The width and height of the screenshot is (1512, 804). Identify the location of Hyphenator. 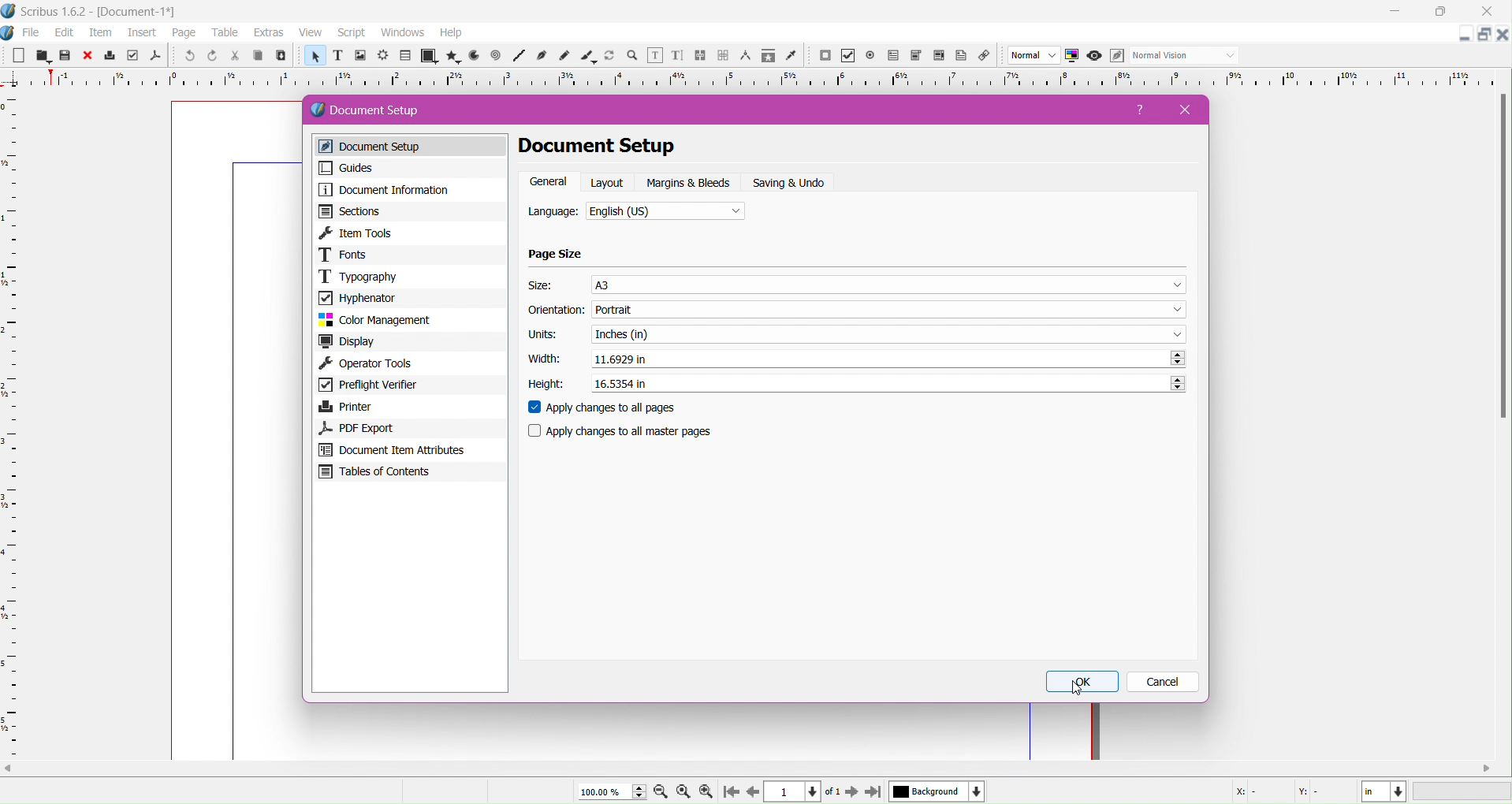
(409, 297).